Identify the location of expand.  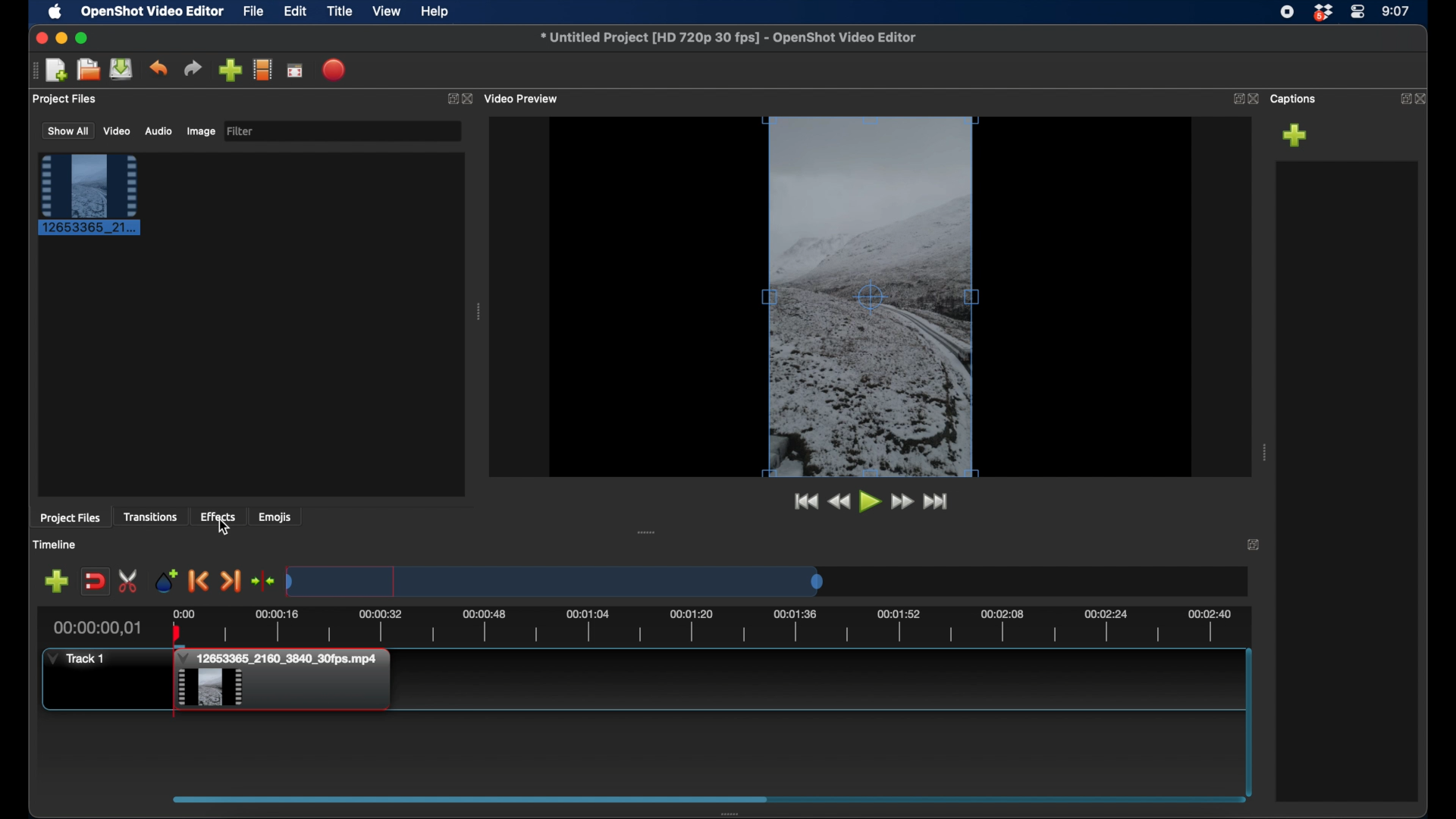
(1401, 98).